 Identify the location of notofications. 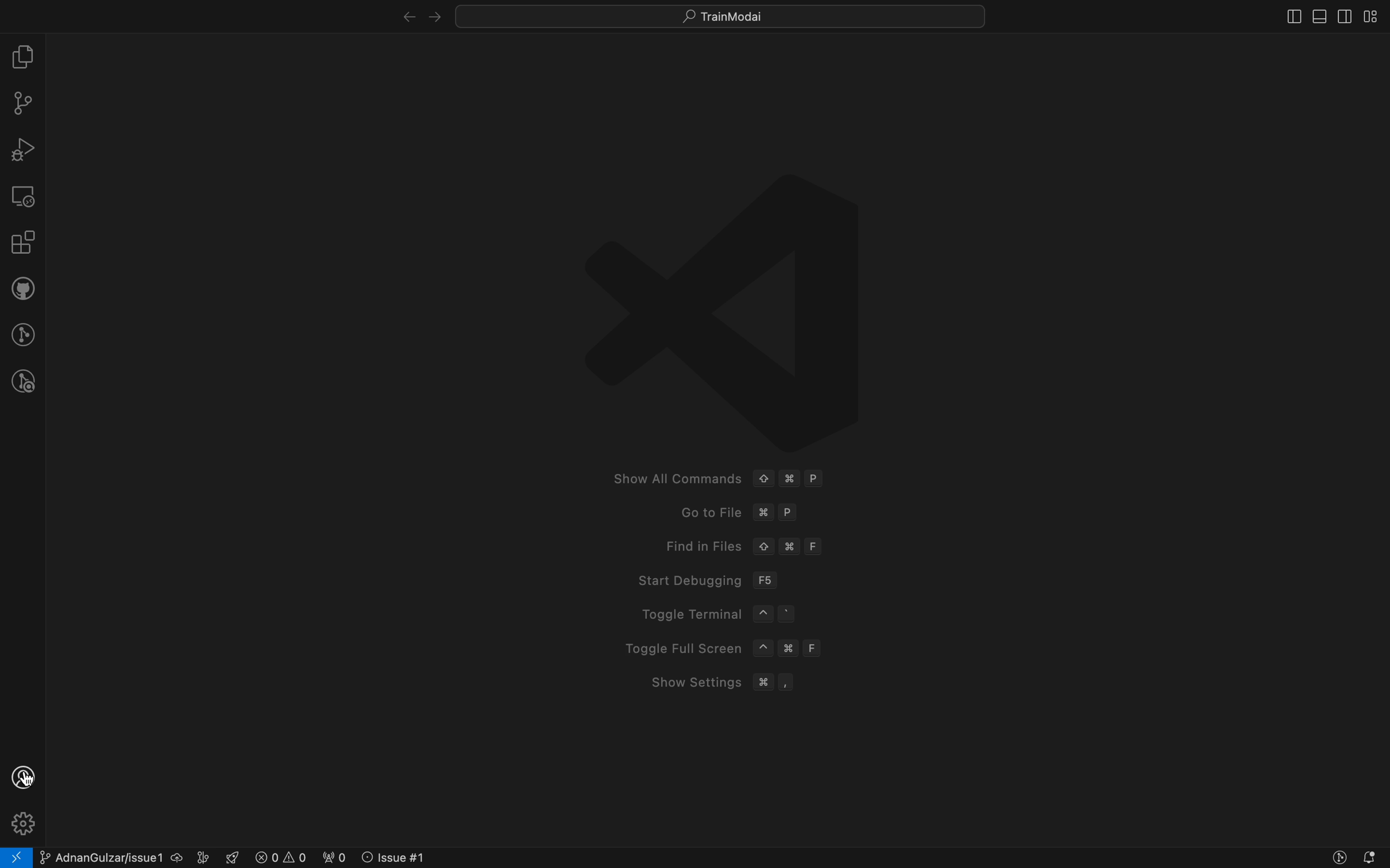
(1372, 858).